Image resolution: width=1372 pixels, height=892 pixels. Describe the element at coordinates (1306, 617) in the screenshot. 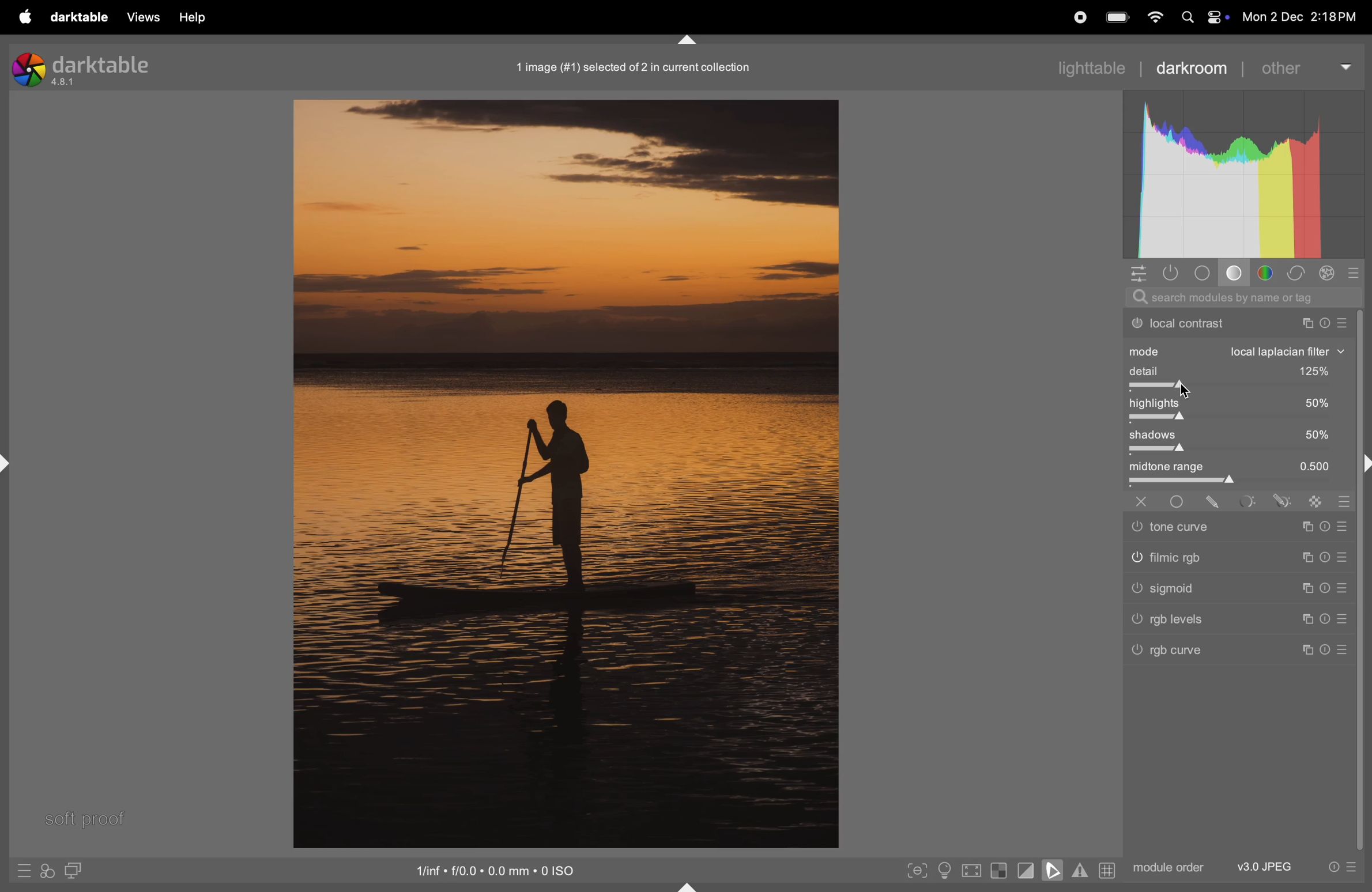

I see `sign ` at that location.